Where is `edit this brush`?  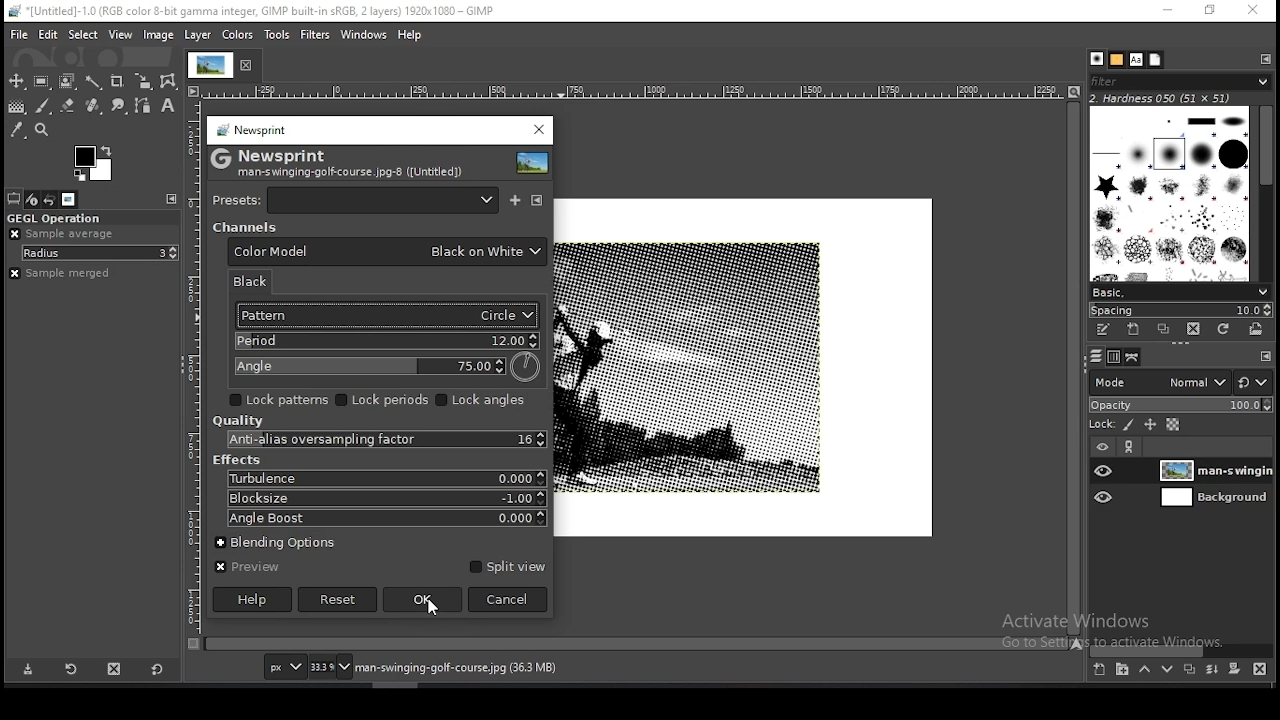
edit this brush is located at coordinates (1104, 331).